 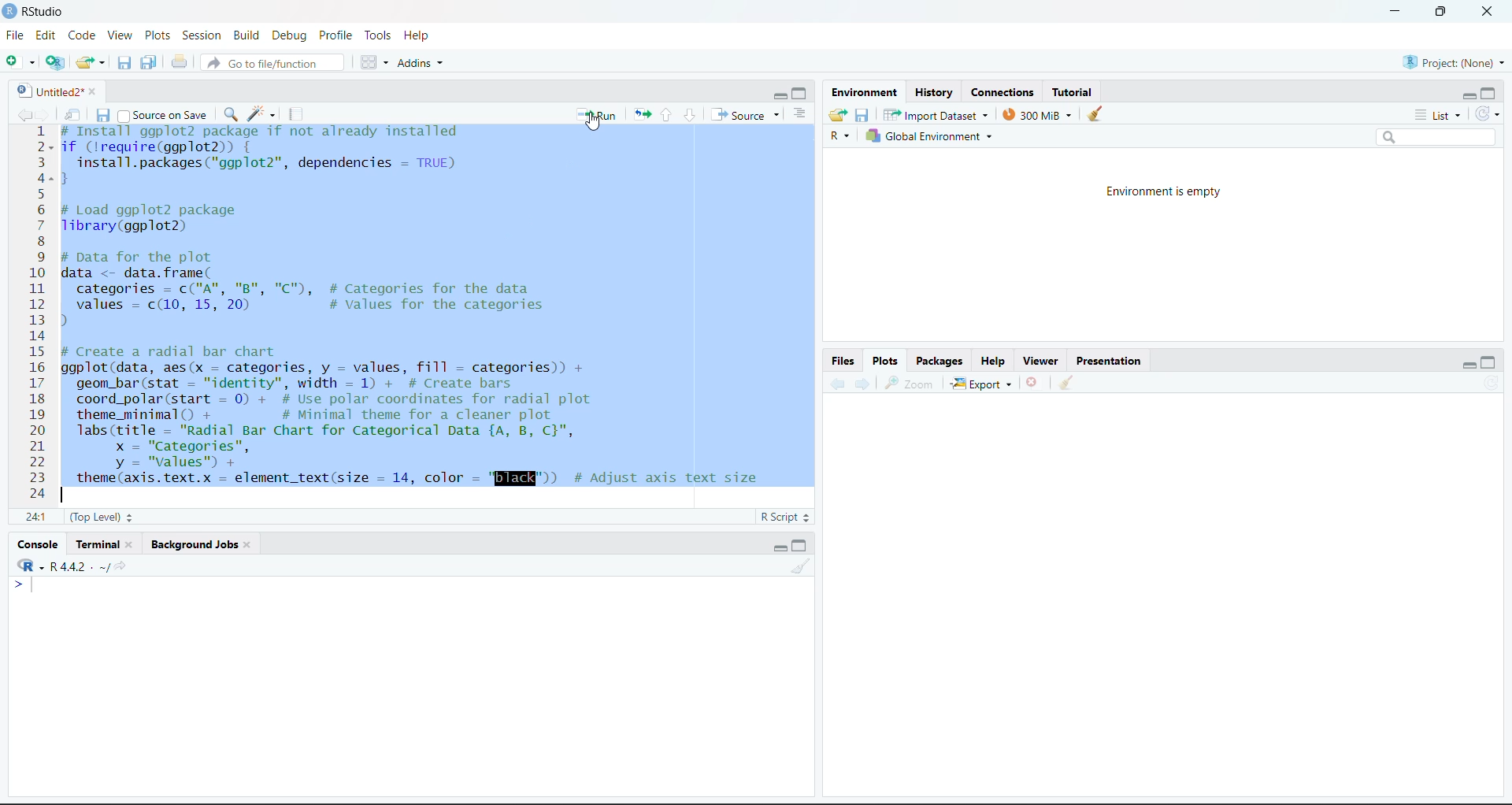 What do you see at coordinates (119, 35) in the screenshot?
I see `View` at bounding box center [119, 35].